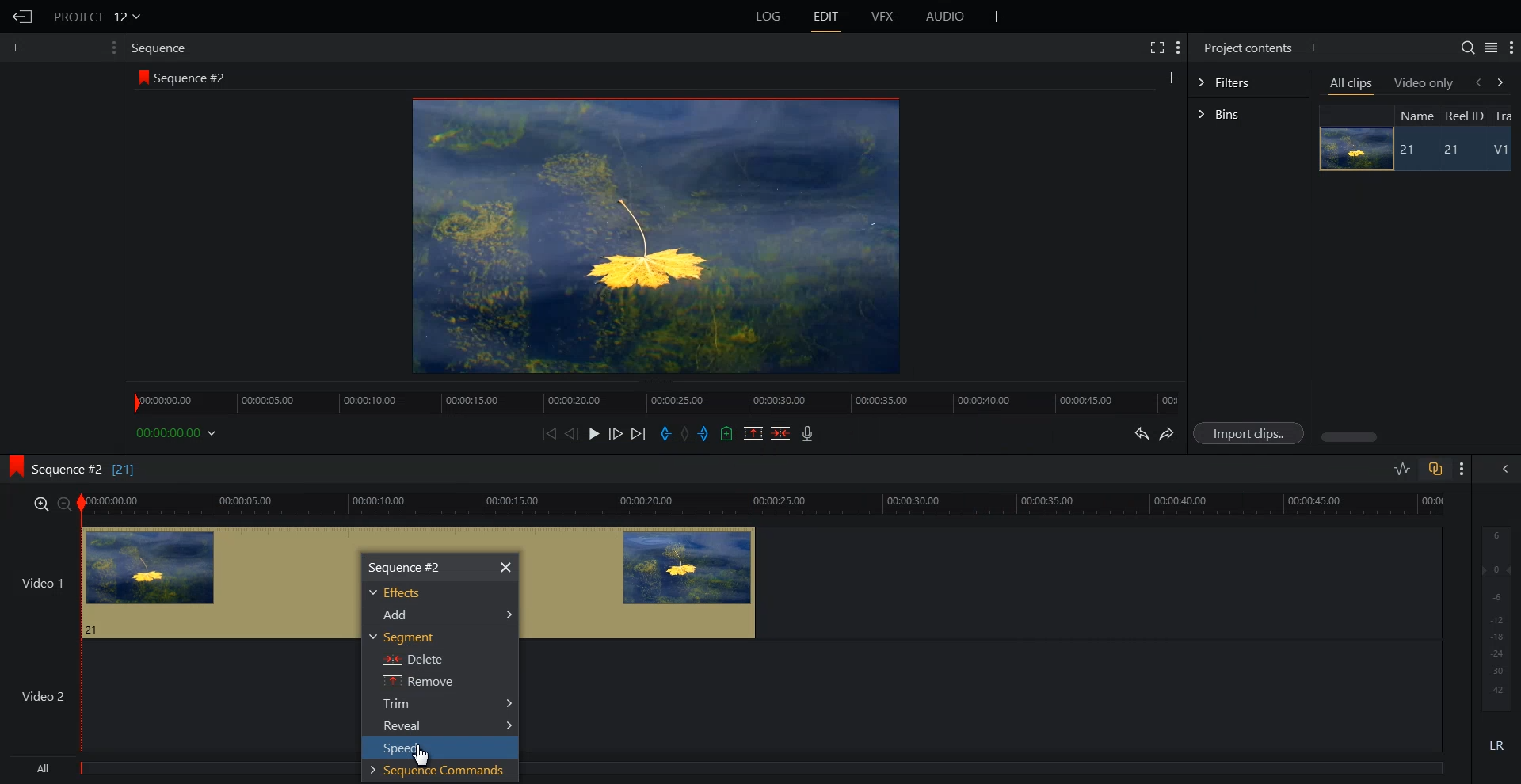 This screenshot has width=1521, height=784. Describe the element at coordinates (651, 234) in the screenshot. I see `Window preview` at that location.